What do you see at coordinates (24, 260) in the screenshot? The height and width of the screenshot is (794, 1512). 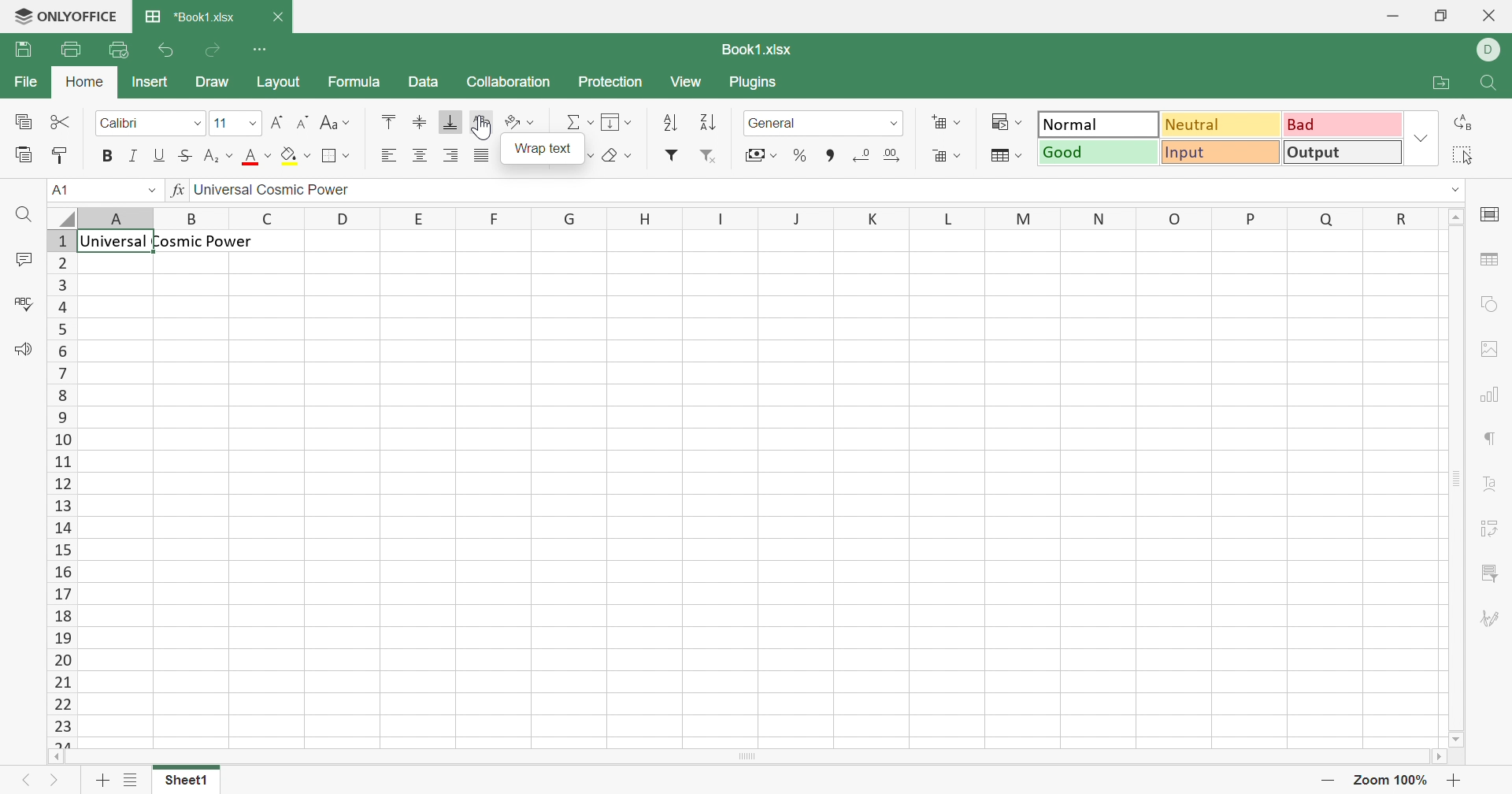 I see `Comments` at bounding box center [24, 260].